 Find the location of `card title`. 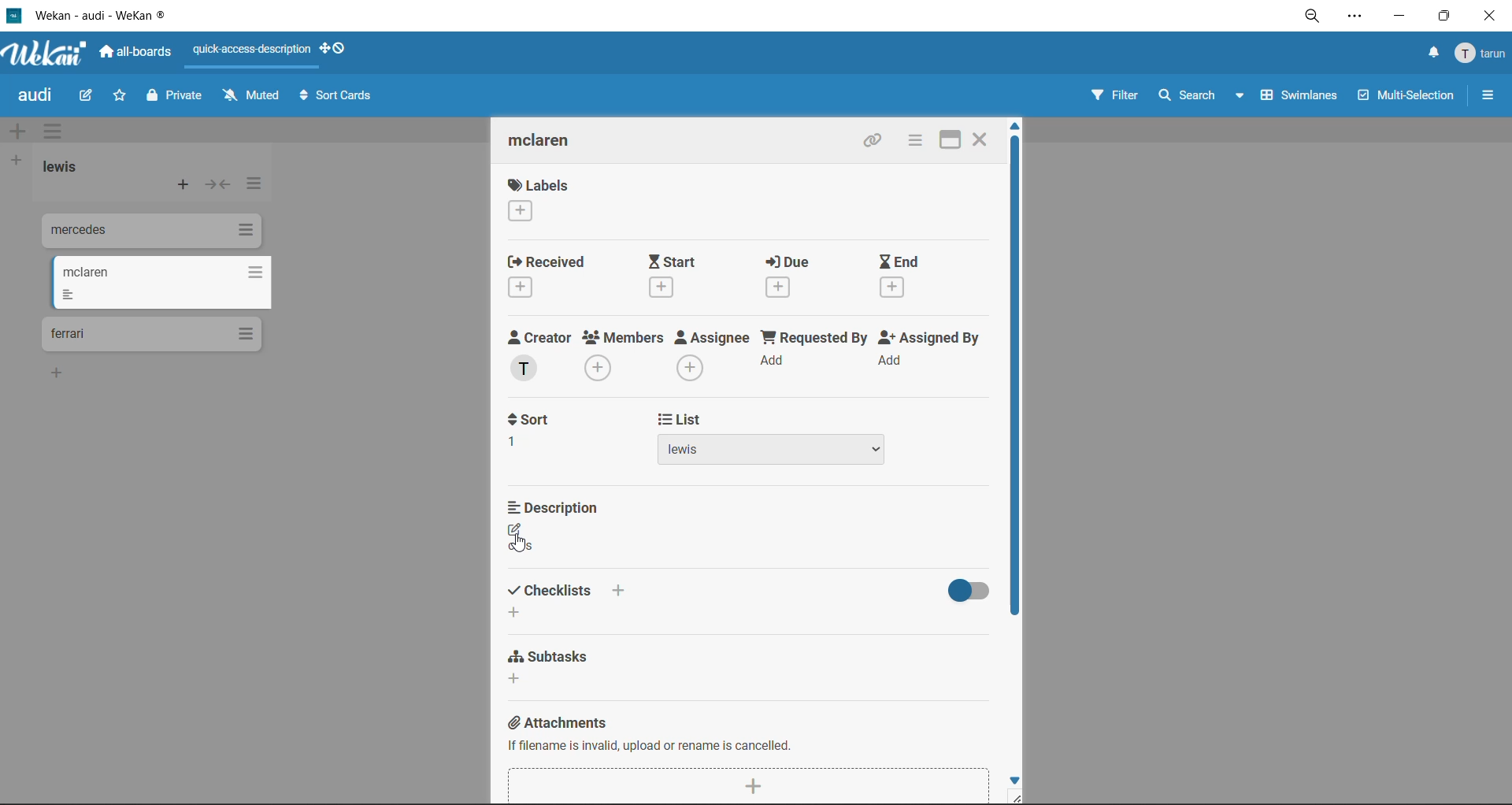

card title is located at coordinates (553, 143).